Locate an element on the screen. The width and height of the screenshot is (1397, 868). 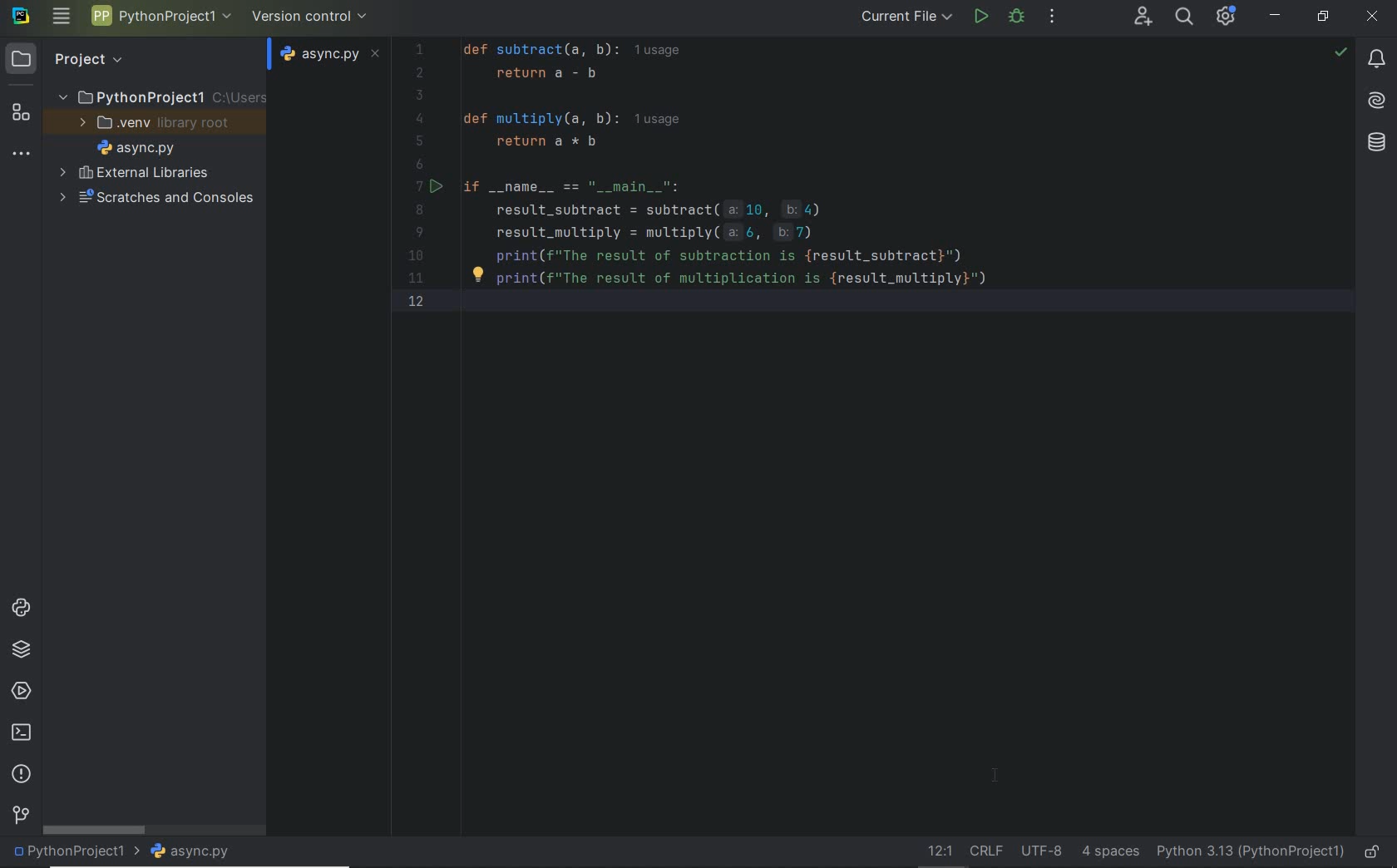
code with me is located at coordinates (1142, 18).